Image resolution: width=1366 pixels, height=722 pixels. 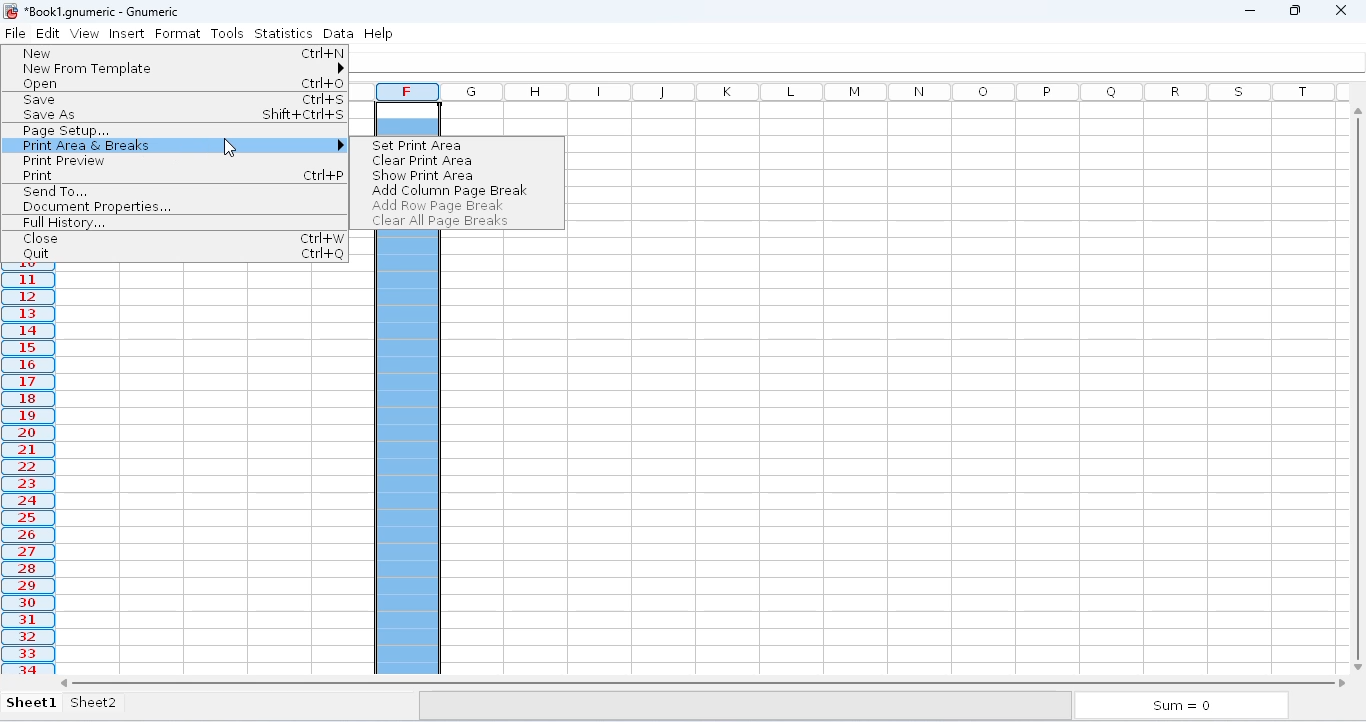 What do you see at coordinates (1342, 10) in the screenshot?
I see `close` at bounding box center [1342, 10].